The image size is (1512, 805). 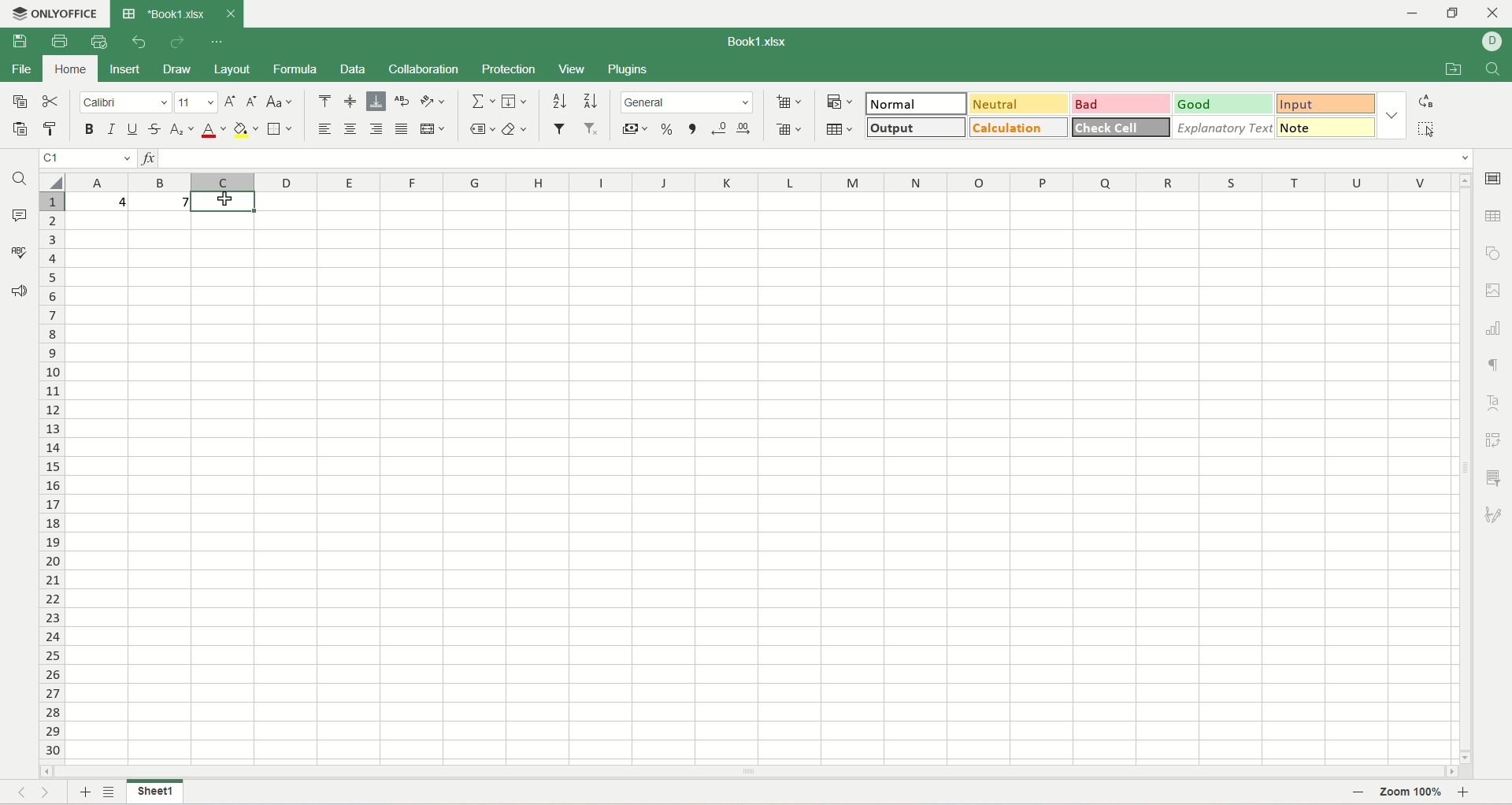 I want to click on next, so click(x=50, y=792).